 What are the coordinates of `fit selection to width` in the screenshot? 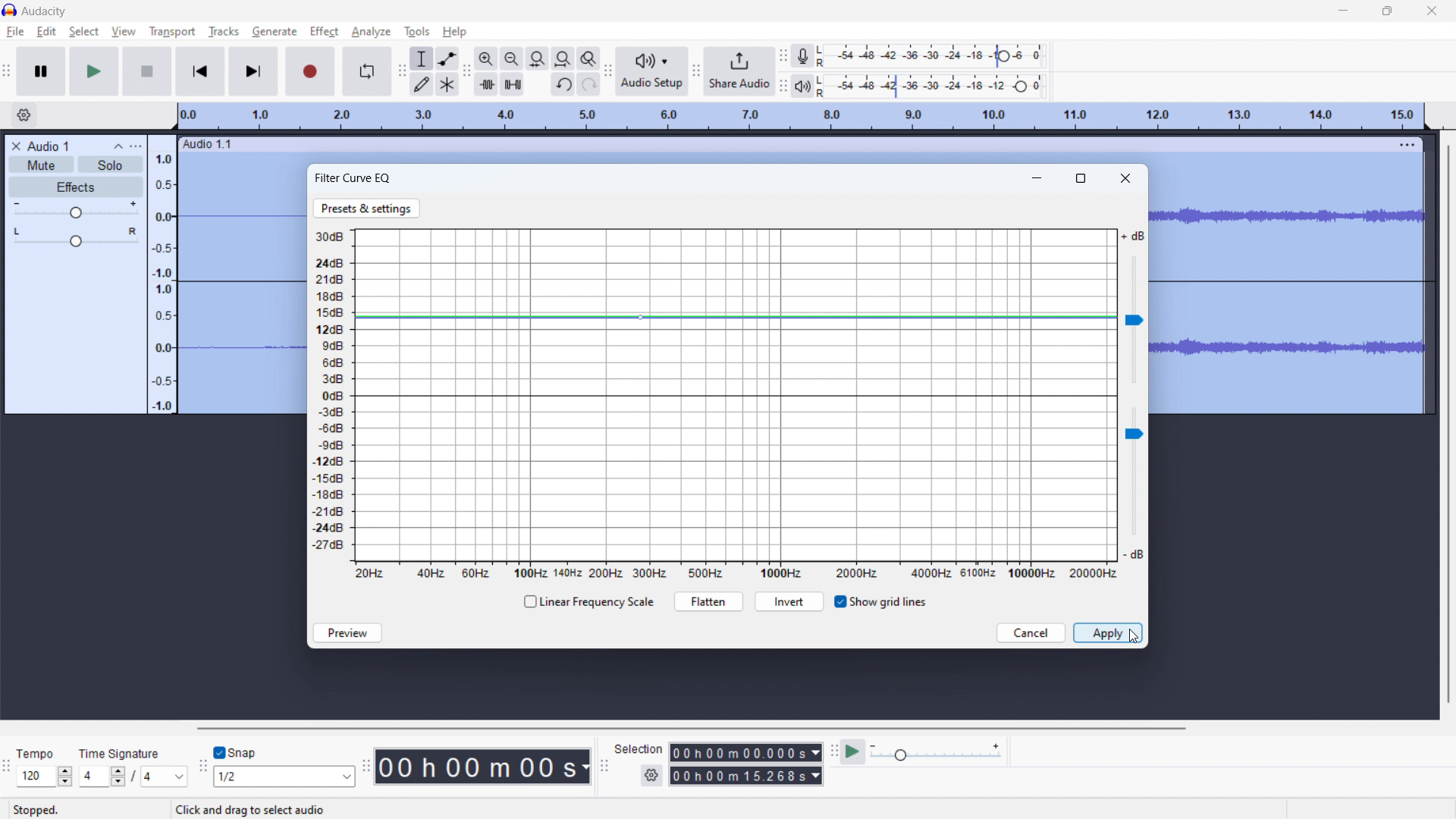 It's located at (537, 58).